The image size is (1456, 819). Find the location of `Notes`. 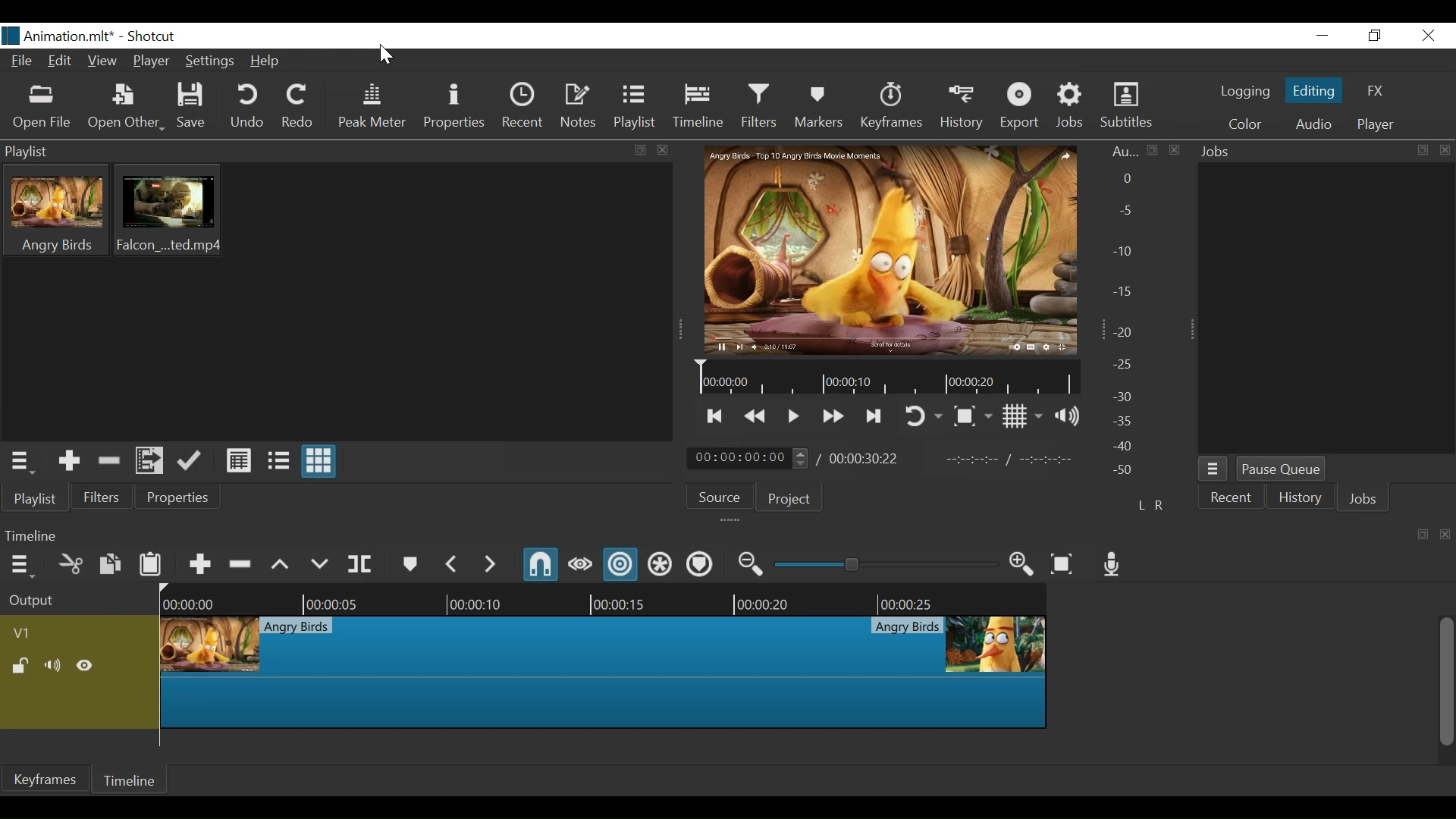

Notes is located at coordinates (579, 106).